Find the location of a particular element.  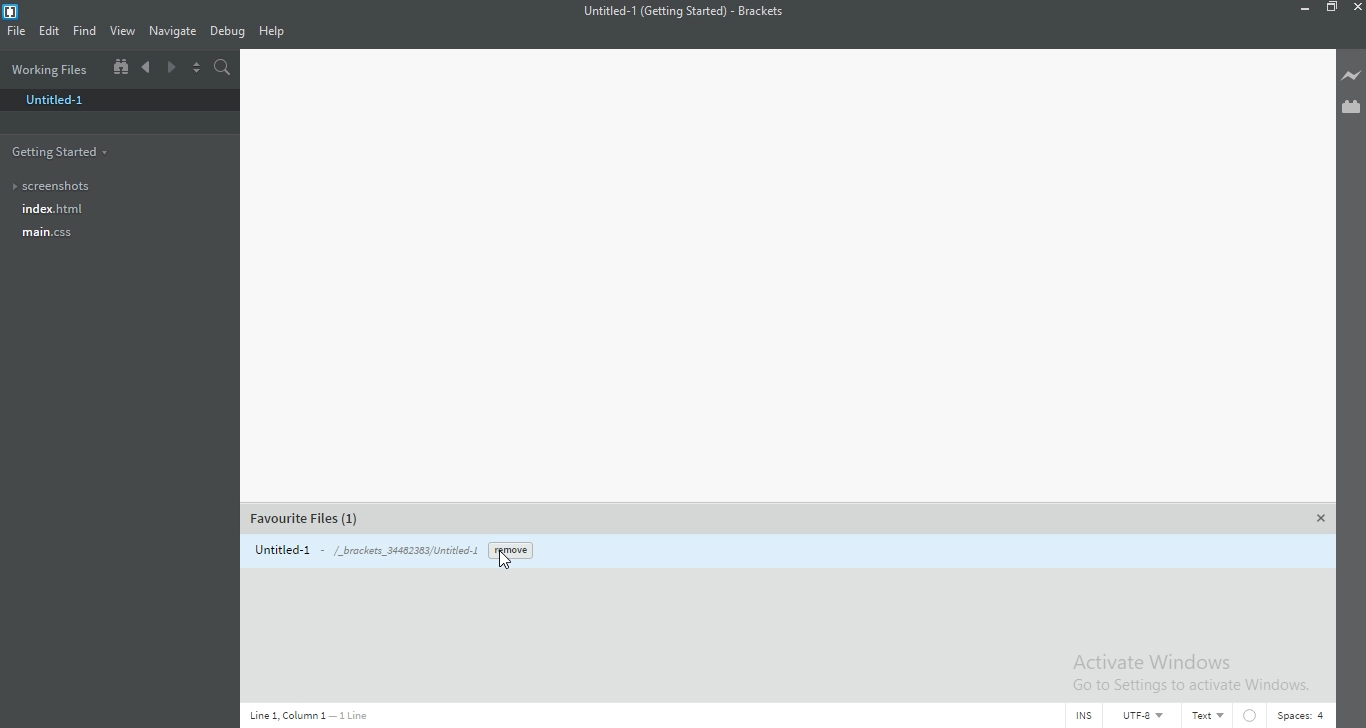

cursor is located at coordinates (511, 558).